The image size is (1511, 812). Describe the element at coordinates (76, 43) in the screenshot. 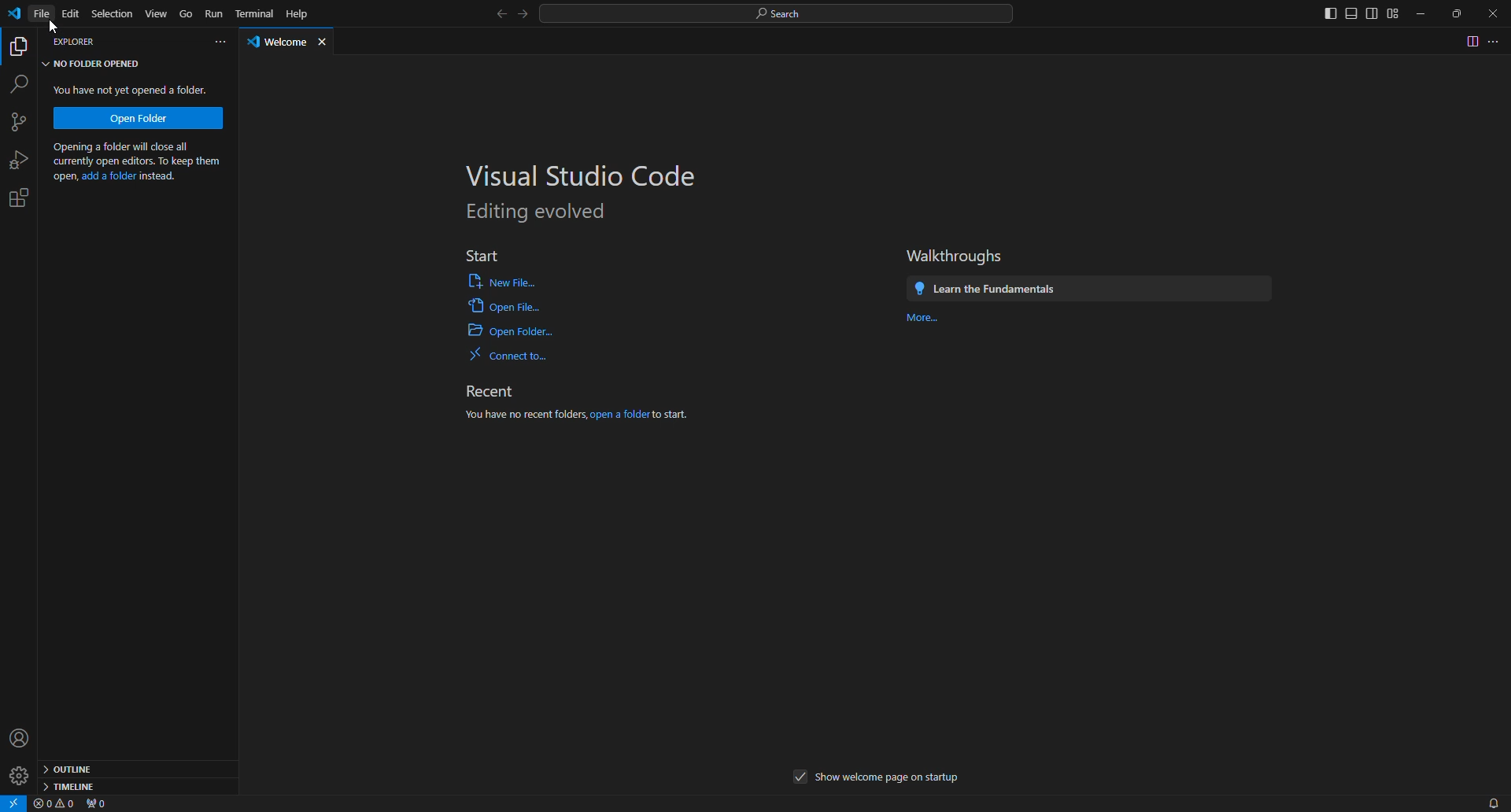

I see `explorer` at that location.